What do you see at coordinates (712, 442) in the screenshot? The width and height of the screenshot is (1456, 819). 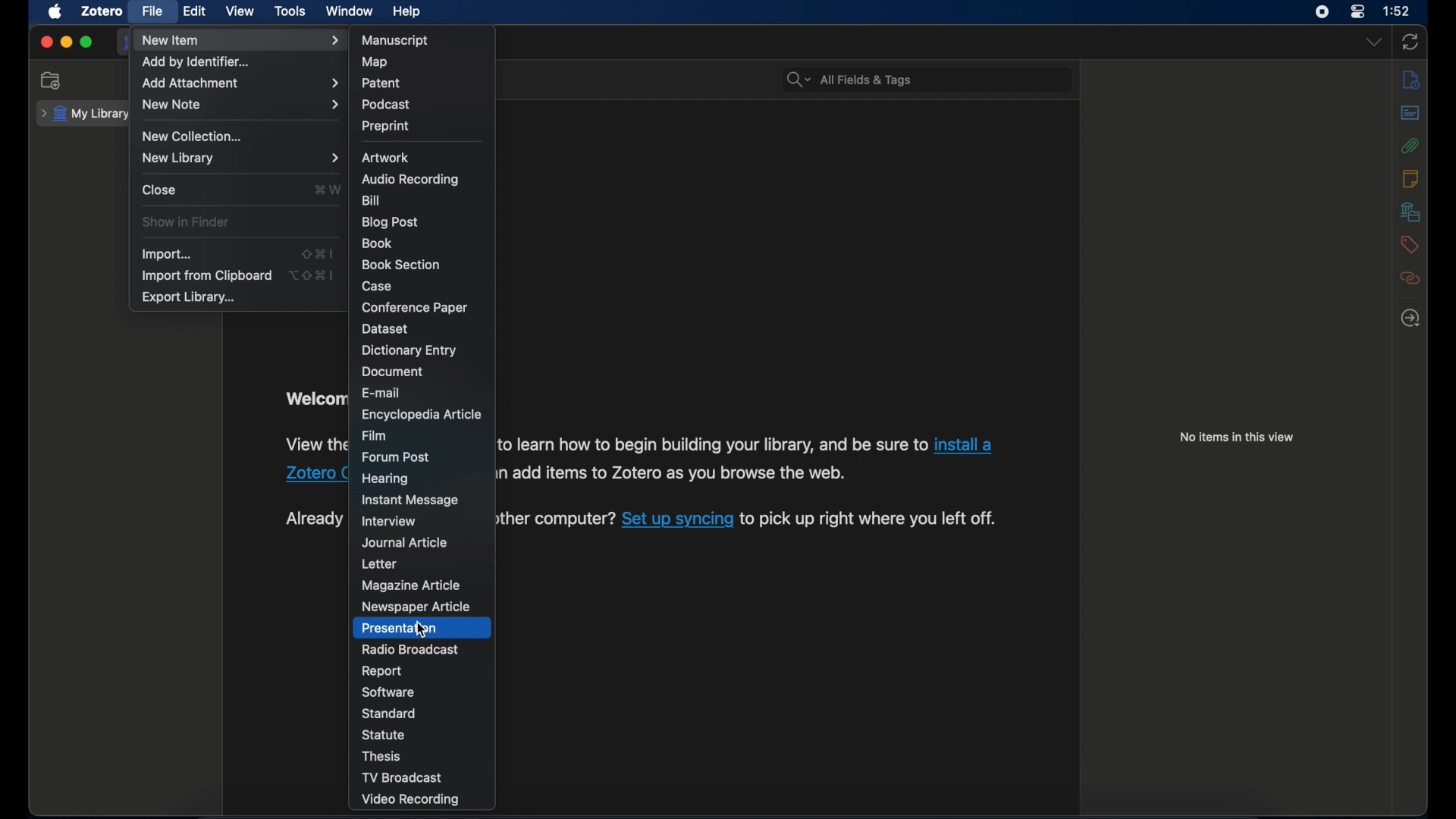 I see `to learn how to begin building your library, and be sure to` at bounding box center [712, 442].